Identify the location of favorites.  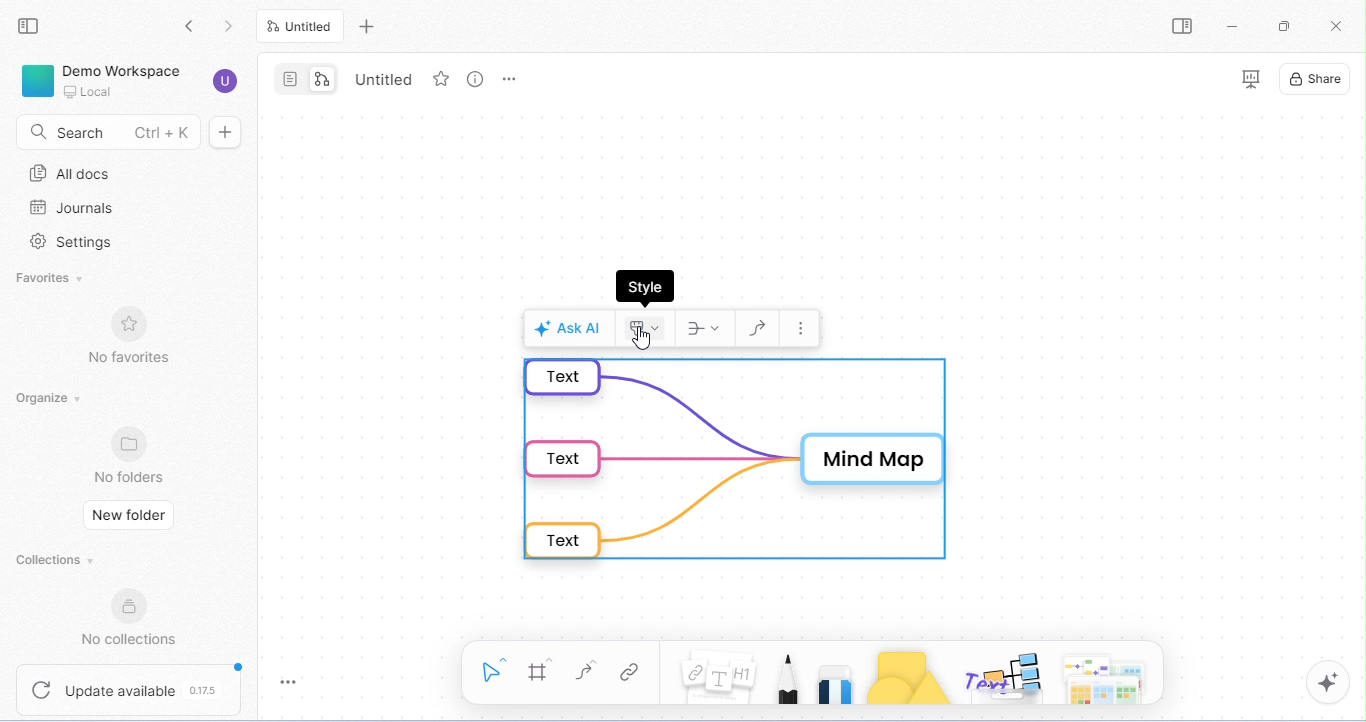
(55, 278).